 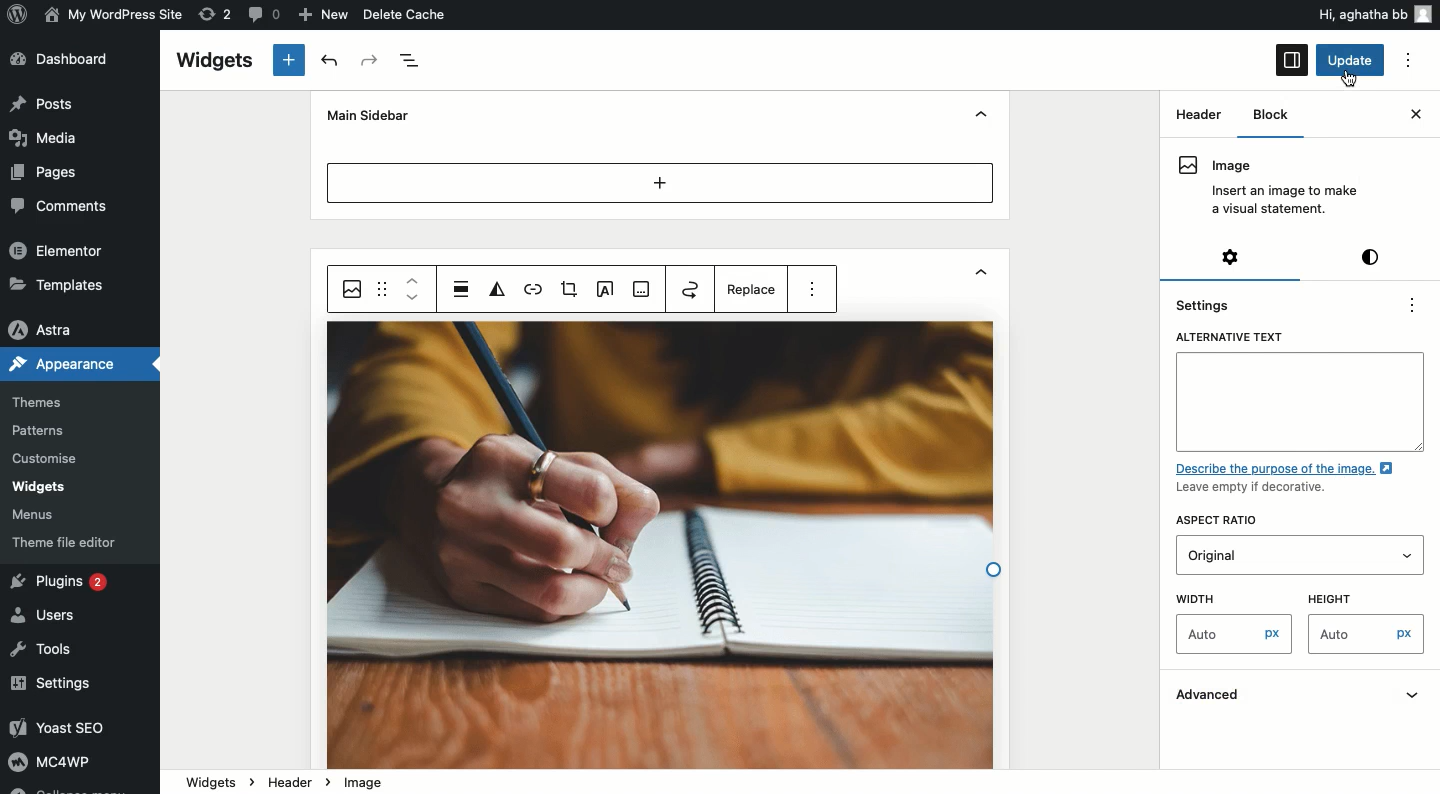 What do you see at coordinates (1292, 60) in the screenshot?
I see `Sidebar` at bounding box center [1292, 60].